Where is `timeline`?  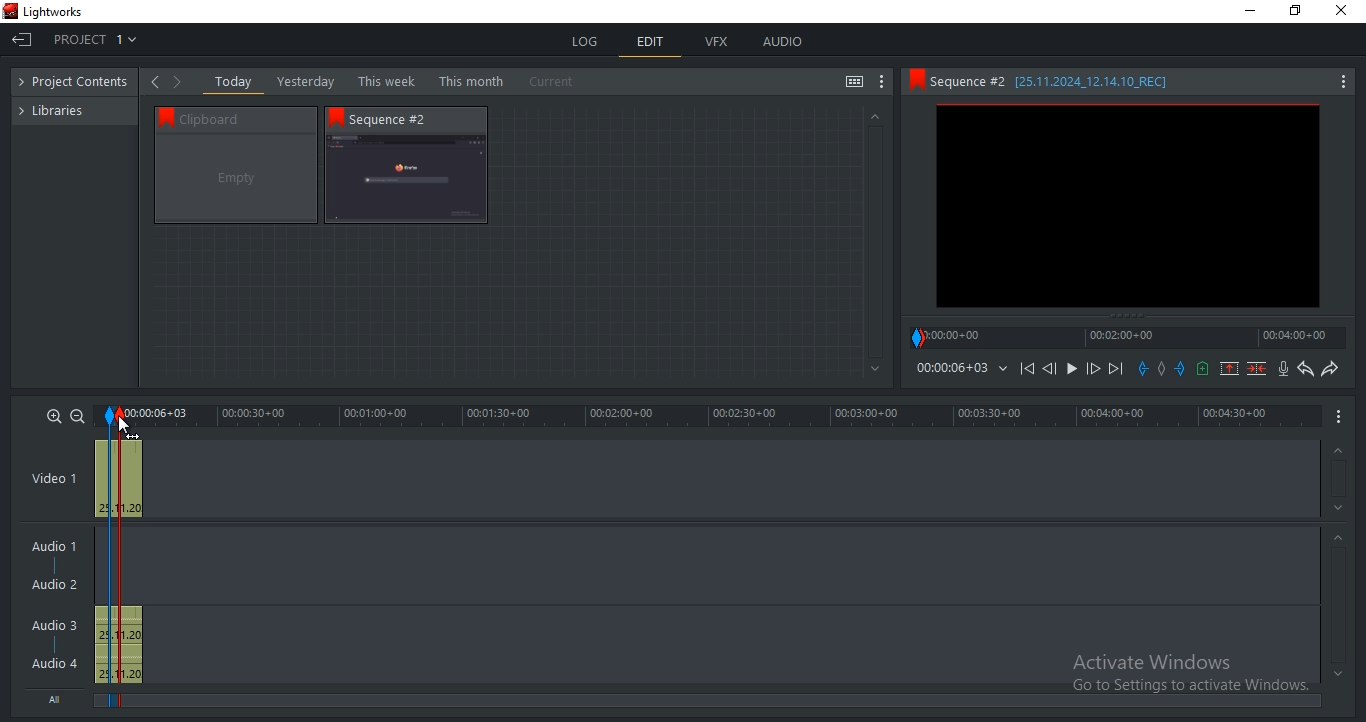 timeline is located at coordinates (710, 416).